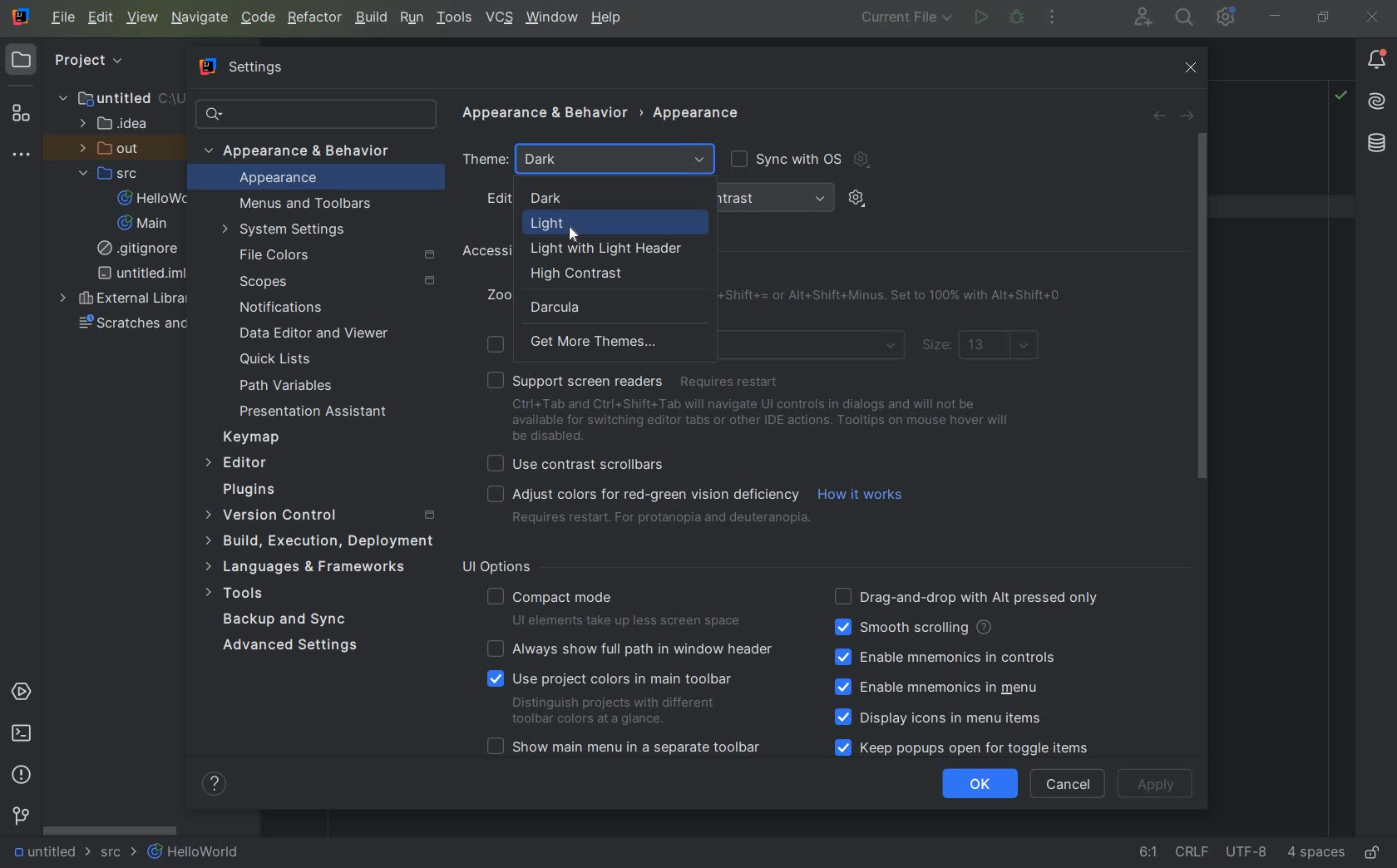 The width and height of the screenshot is (1397, 868). What do you see at coordinates (1374, 18) in the screenshot?
I see `close` at bounding box center [1374, 18].